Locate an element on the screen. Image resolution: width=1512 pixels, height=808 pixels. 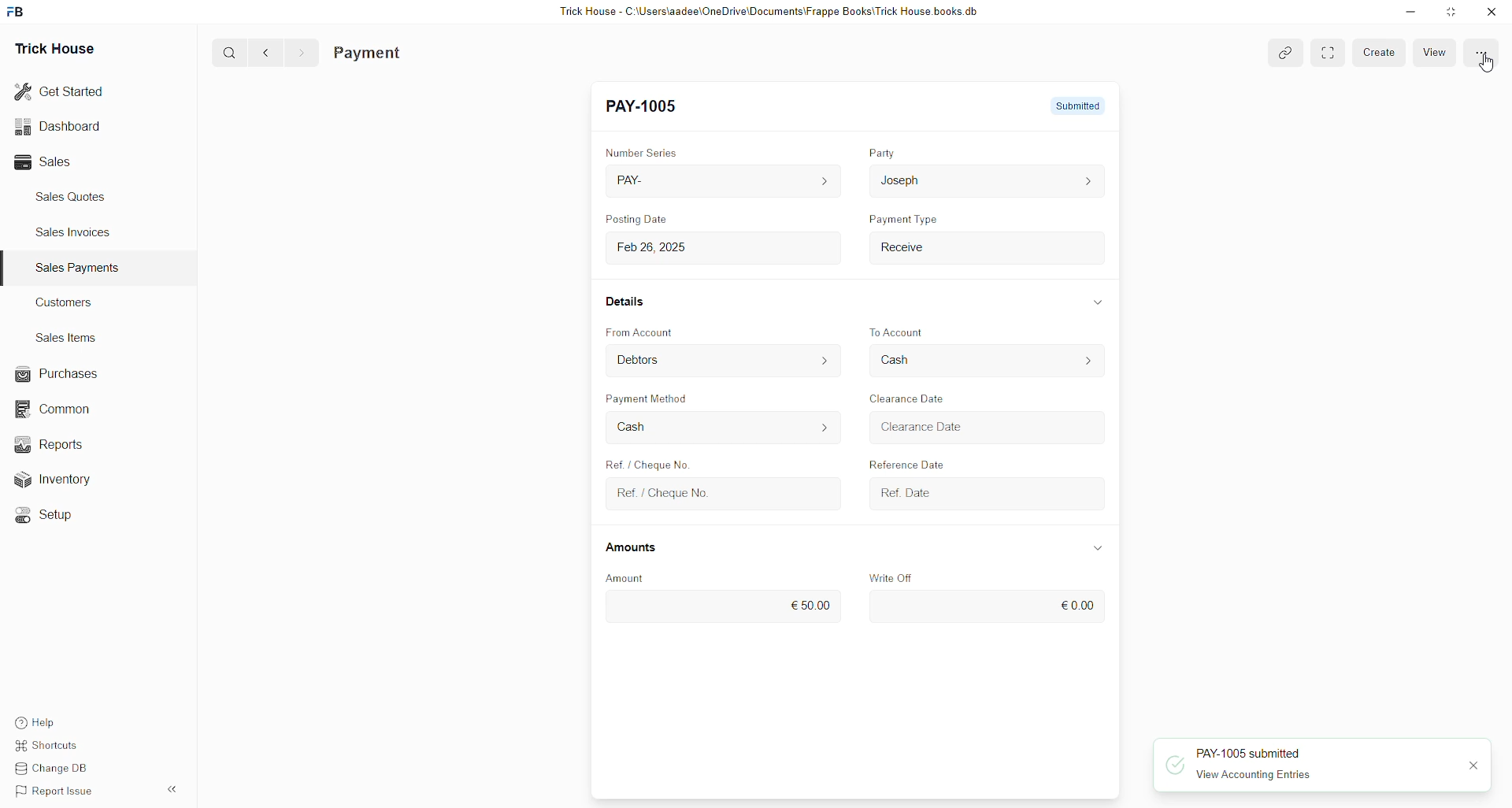
Trick House - C:\Users\aadee\OneDrive\Documents\Frappe Books\Trick House books db is located at coordinates (770, 12).